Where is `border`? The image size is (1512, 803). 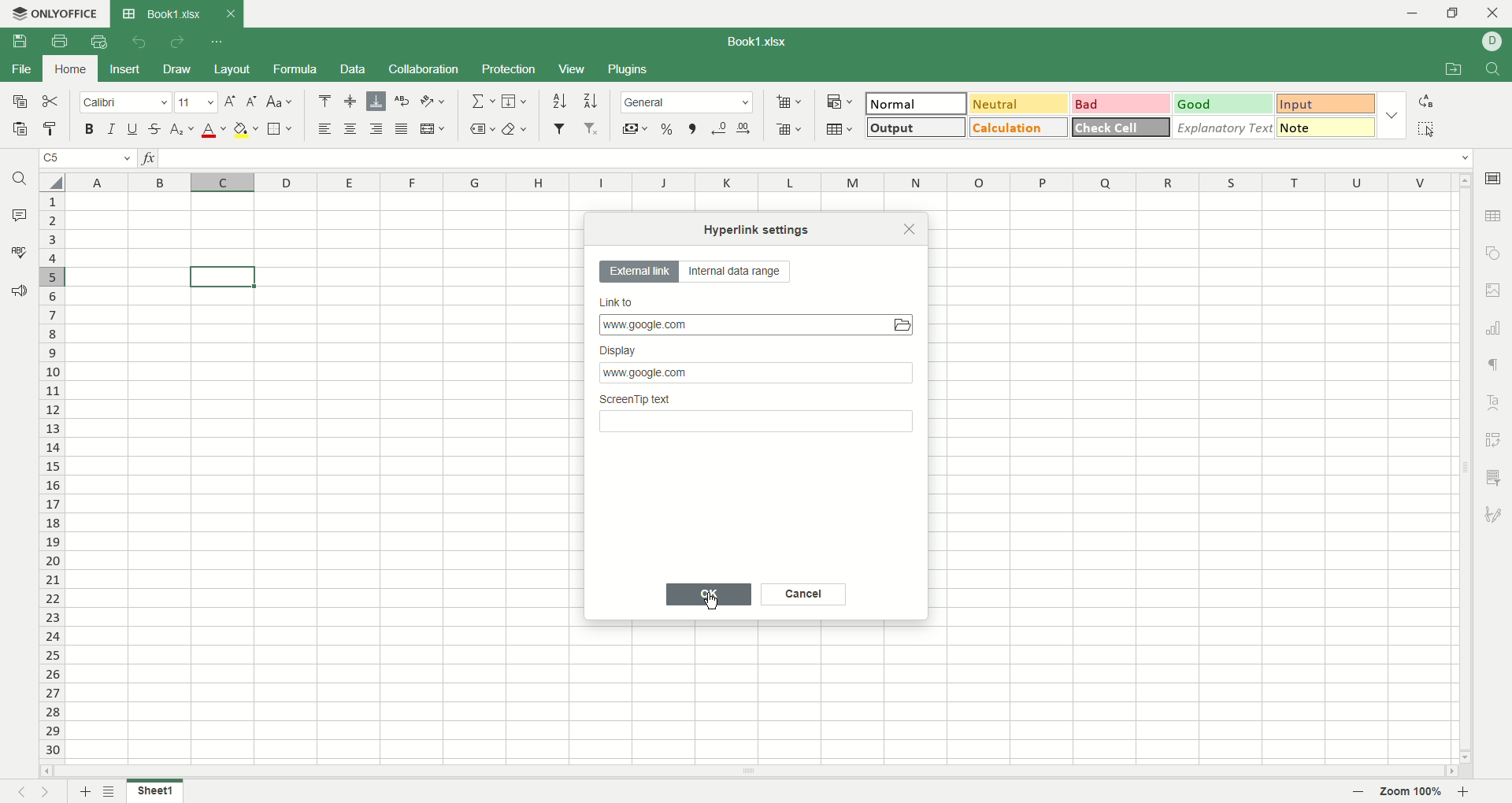 border is located at coordinates (280, 130).